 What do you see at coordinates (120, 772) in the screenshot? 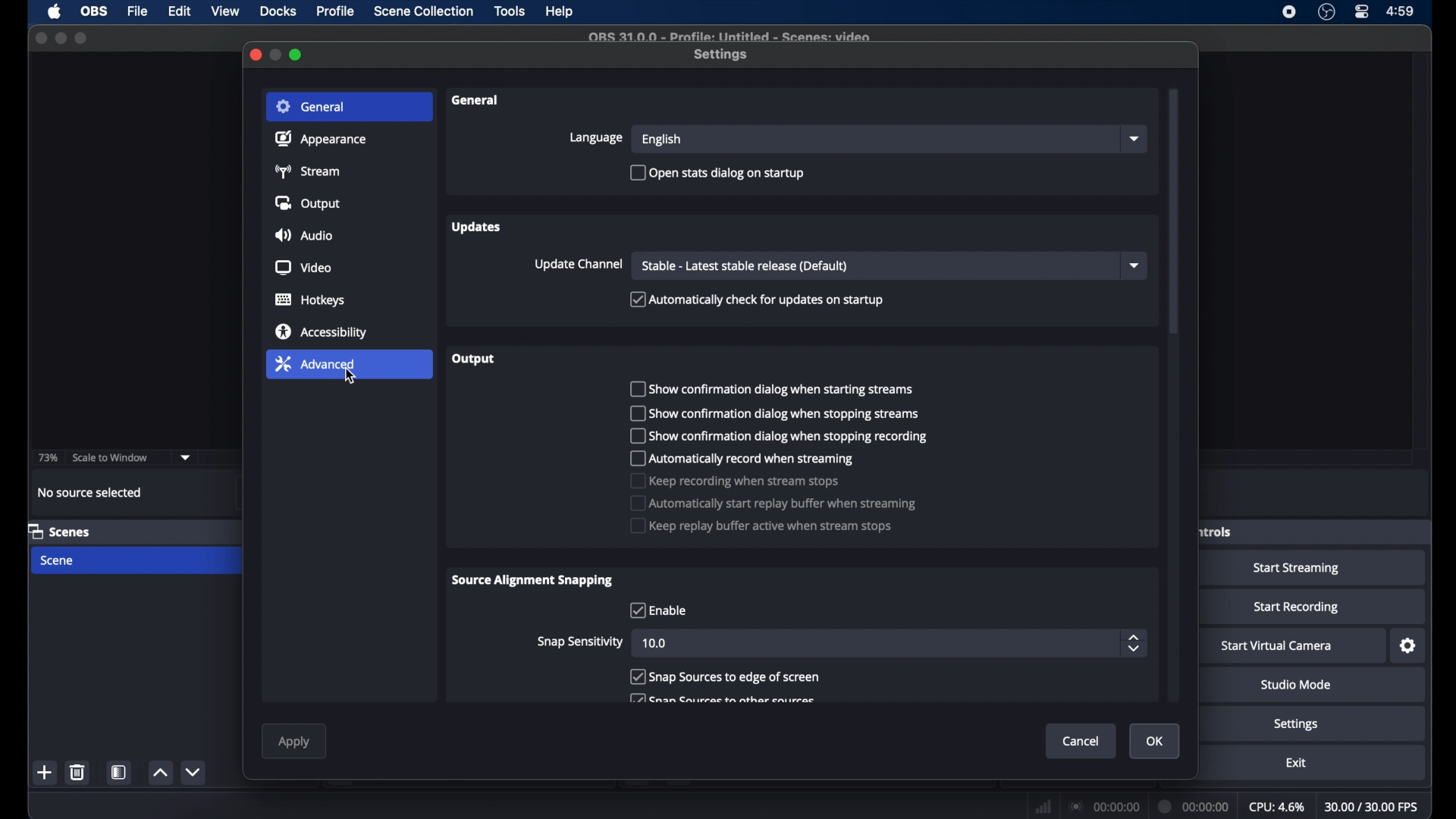
I see `scene filters` at bounding box center [120, 772].